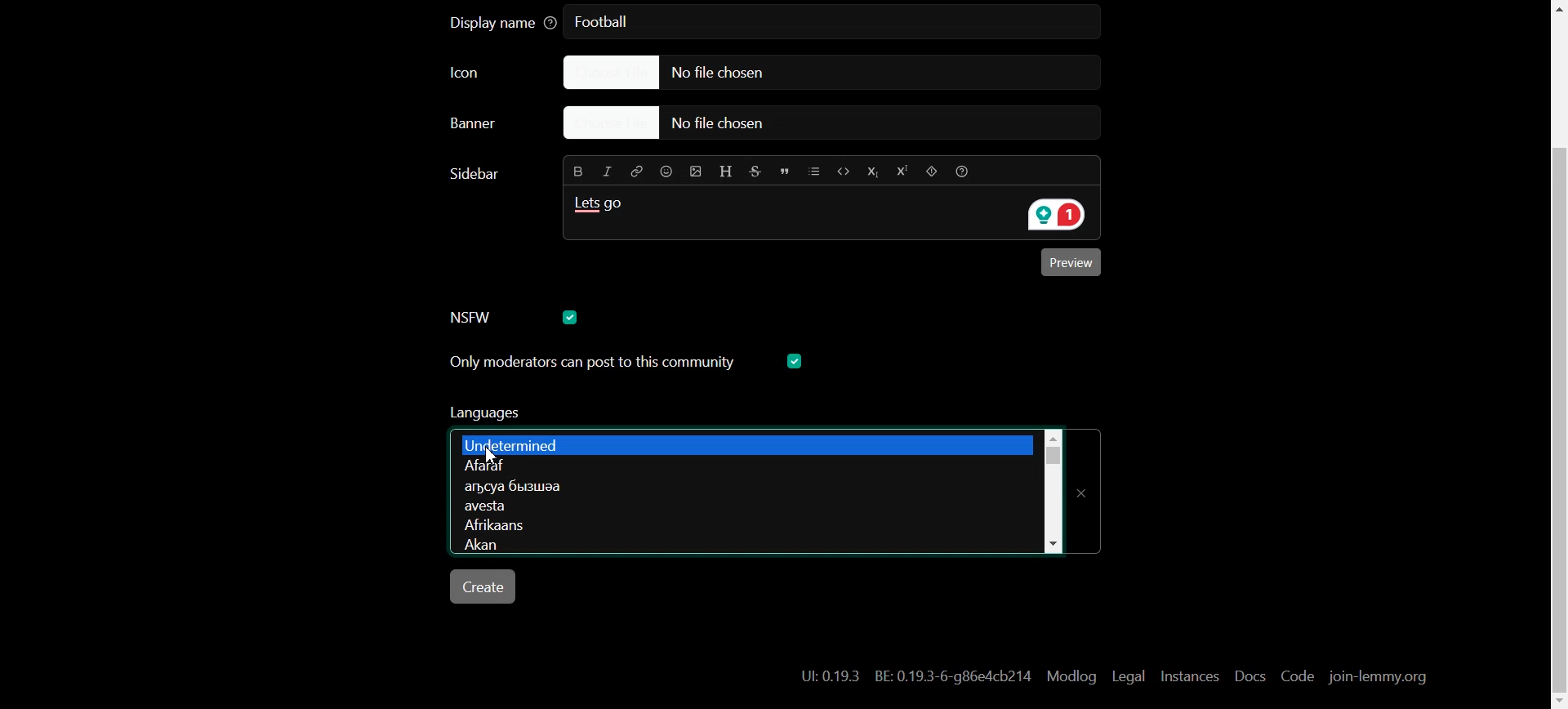 The image size is (1568, 709). What do you see at coordinates (871, 171) in the screenshot?
I see `Subscript` at bounding box center [871, 171].